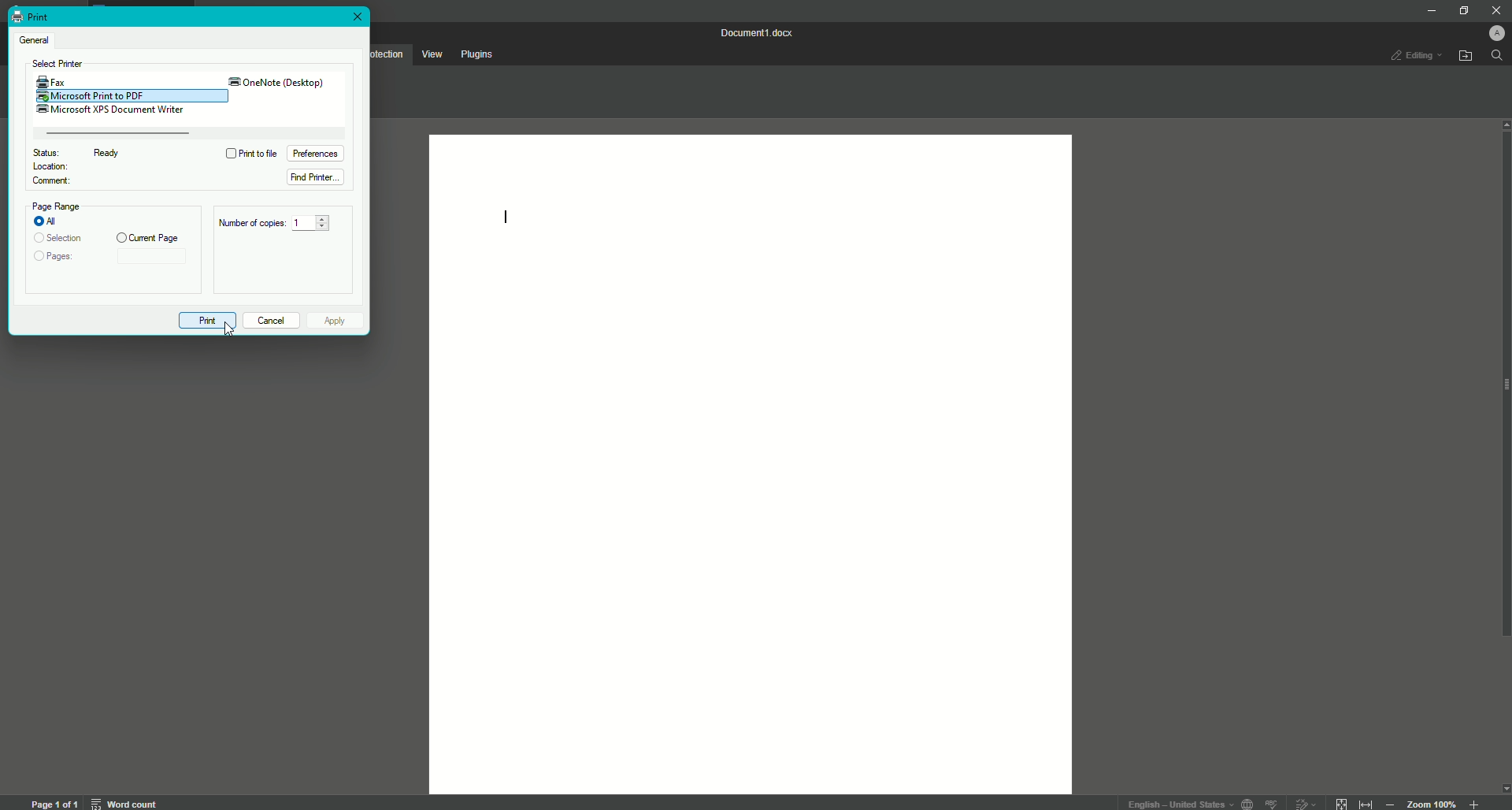 Image resolution: width=1512 pixels, height=810 pixels. I want to click on Status: Ready, so click(85, 152).